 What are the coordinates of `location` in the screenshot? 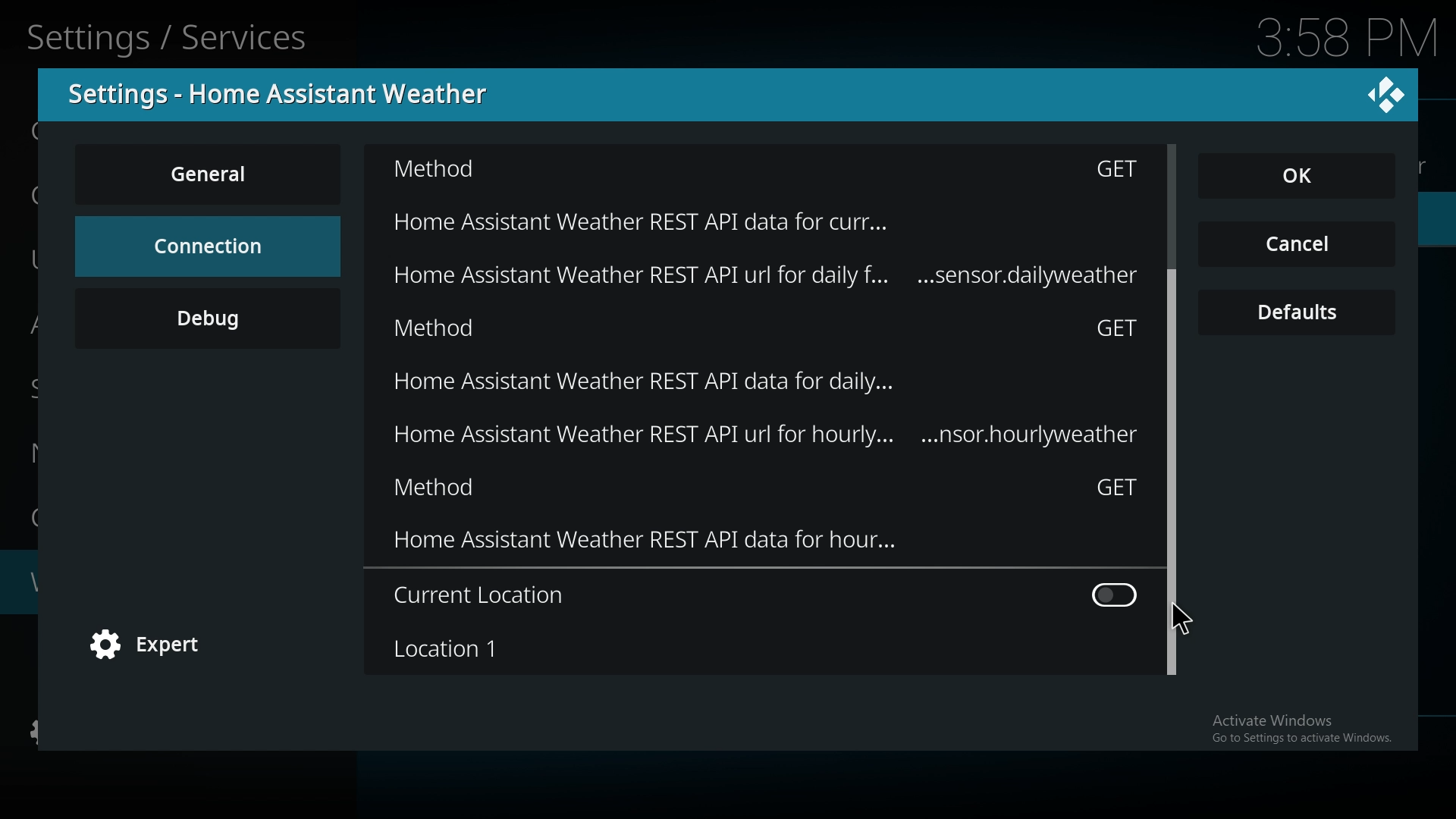 It's located at (758, 648).